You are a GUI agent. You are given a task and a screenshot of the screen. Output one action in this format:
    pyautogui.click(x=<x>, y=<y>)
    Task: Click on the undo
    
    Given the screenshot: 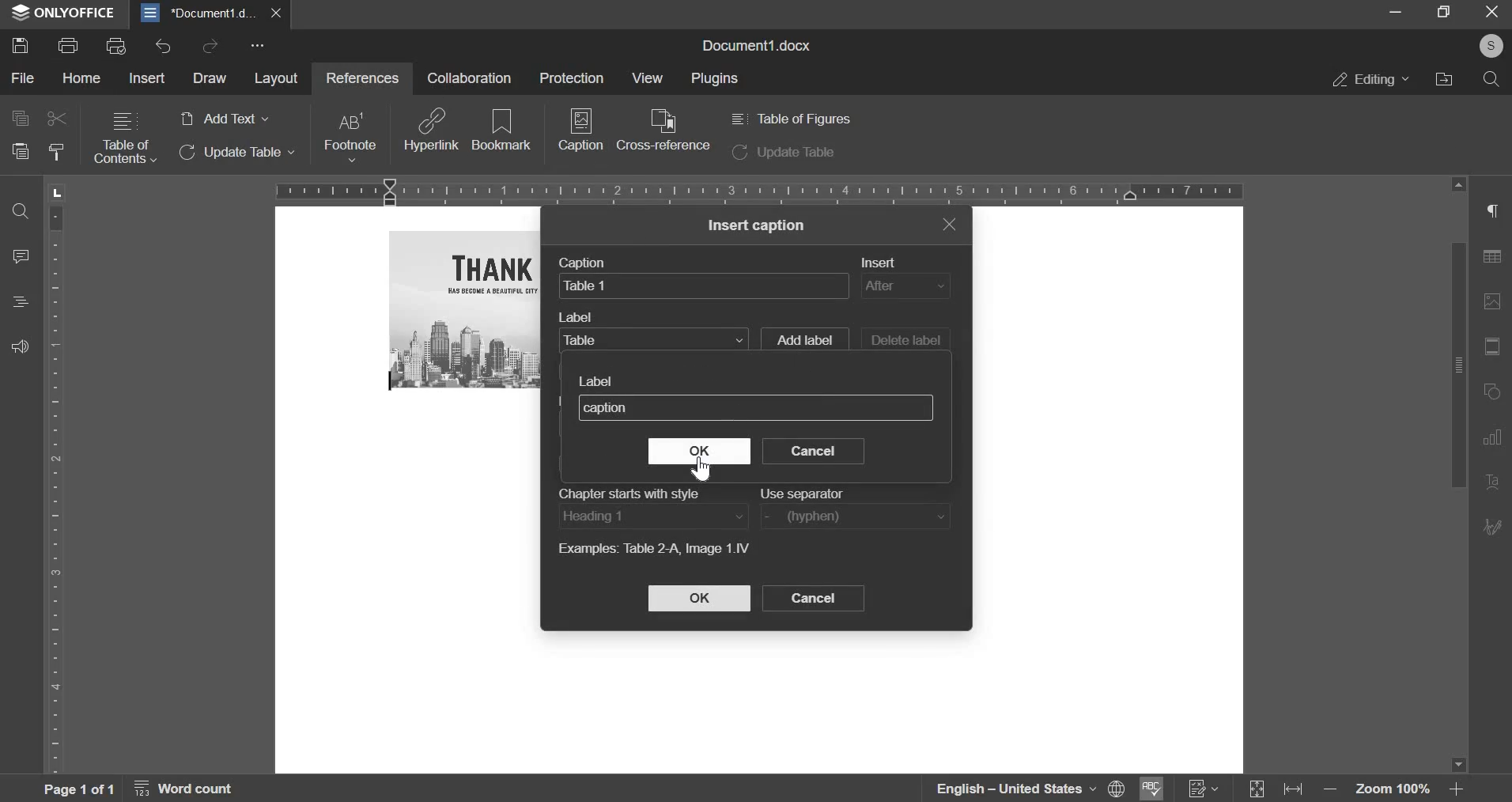 What is the action you would take?
    pyautogui.click(x=163, y=47)
    